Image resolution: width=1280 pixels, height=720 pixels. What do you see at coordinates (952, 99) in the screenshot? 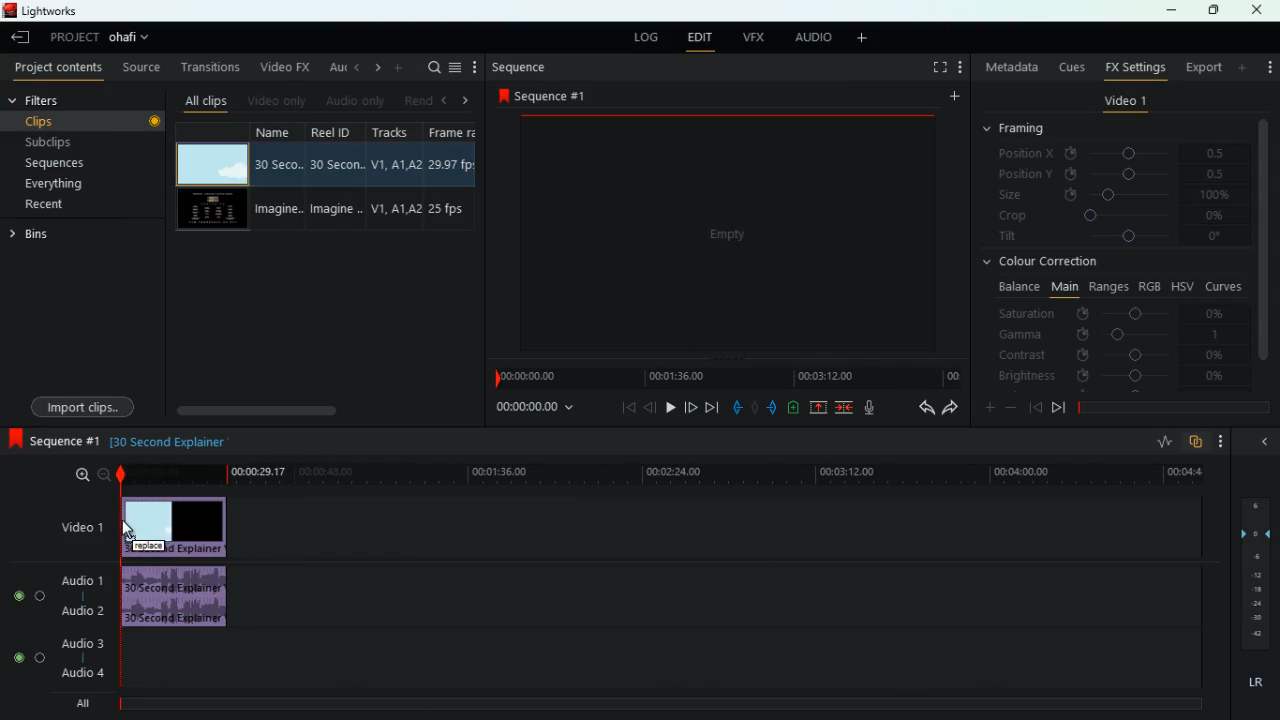
I see `more` at bounding box center [952, 99].